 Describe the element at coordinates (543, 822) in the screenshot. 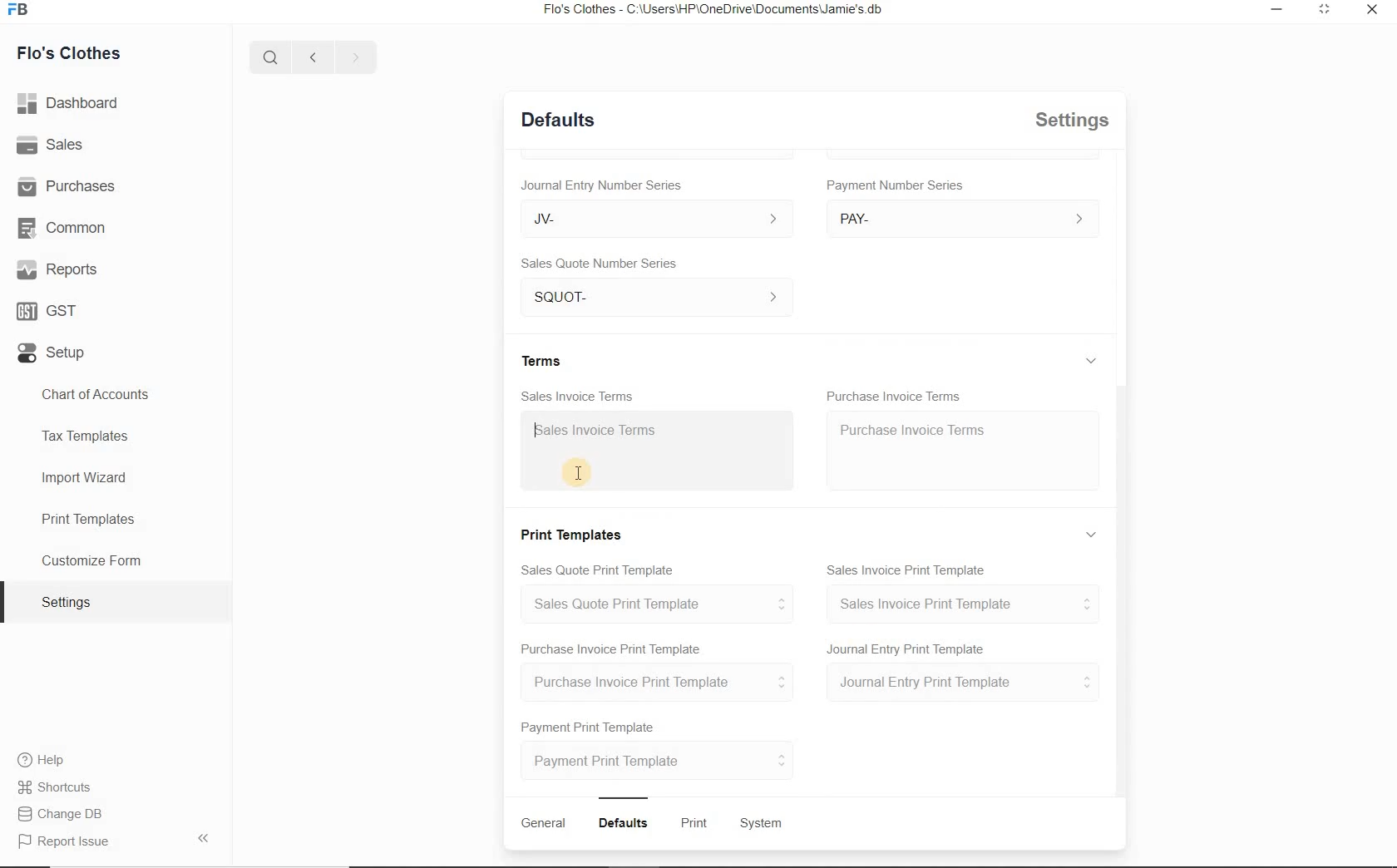

I see `General` at that location.